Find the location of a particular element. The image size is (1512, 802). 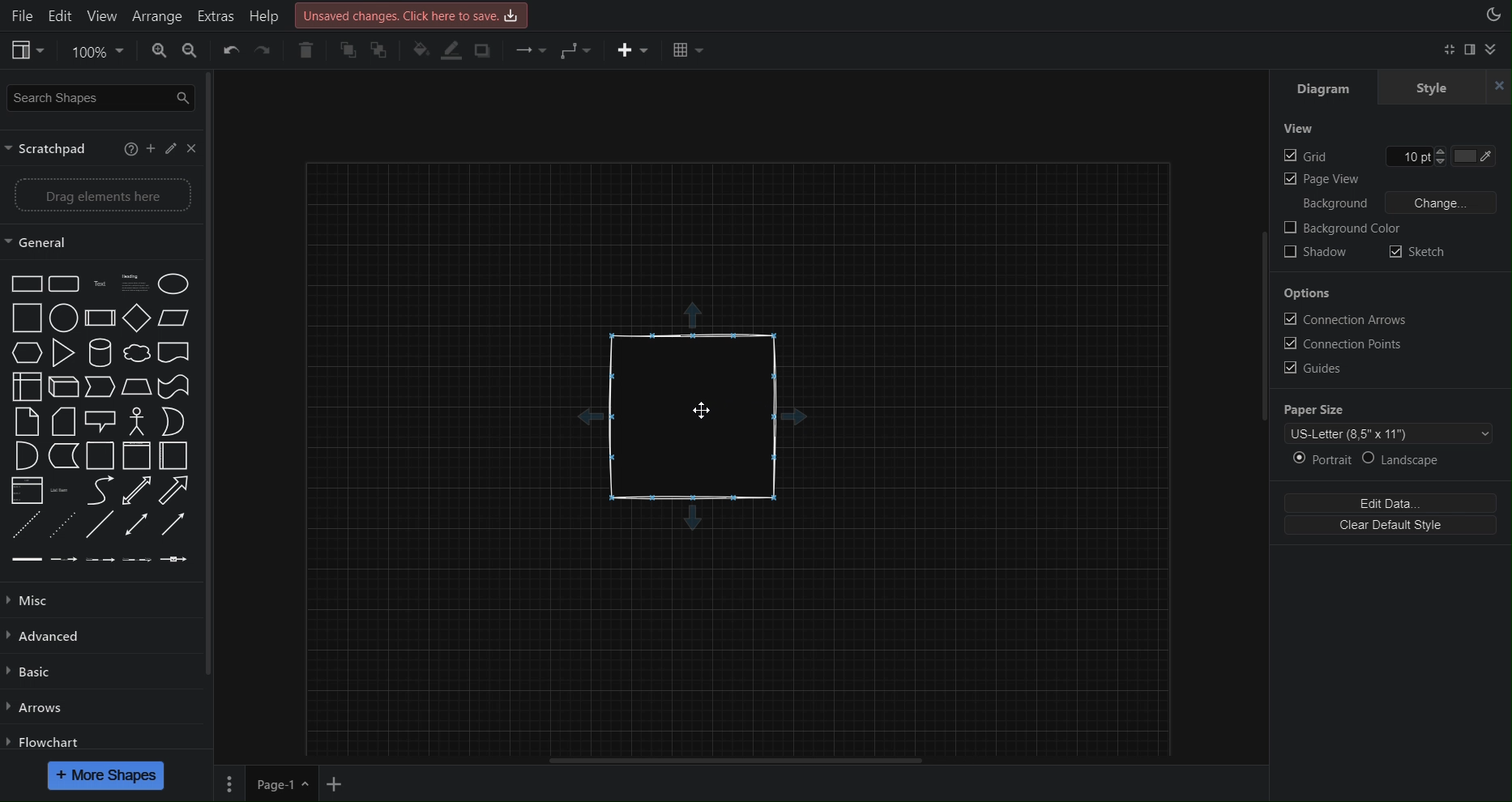

Connection is located at coordinates (530, 52).